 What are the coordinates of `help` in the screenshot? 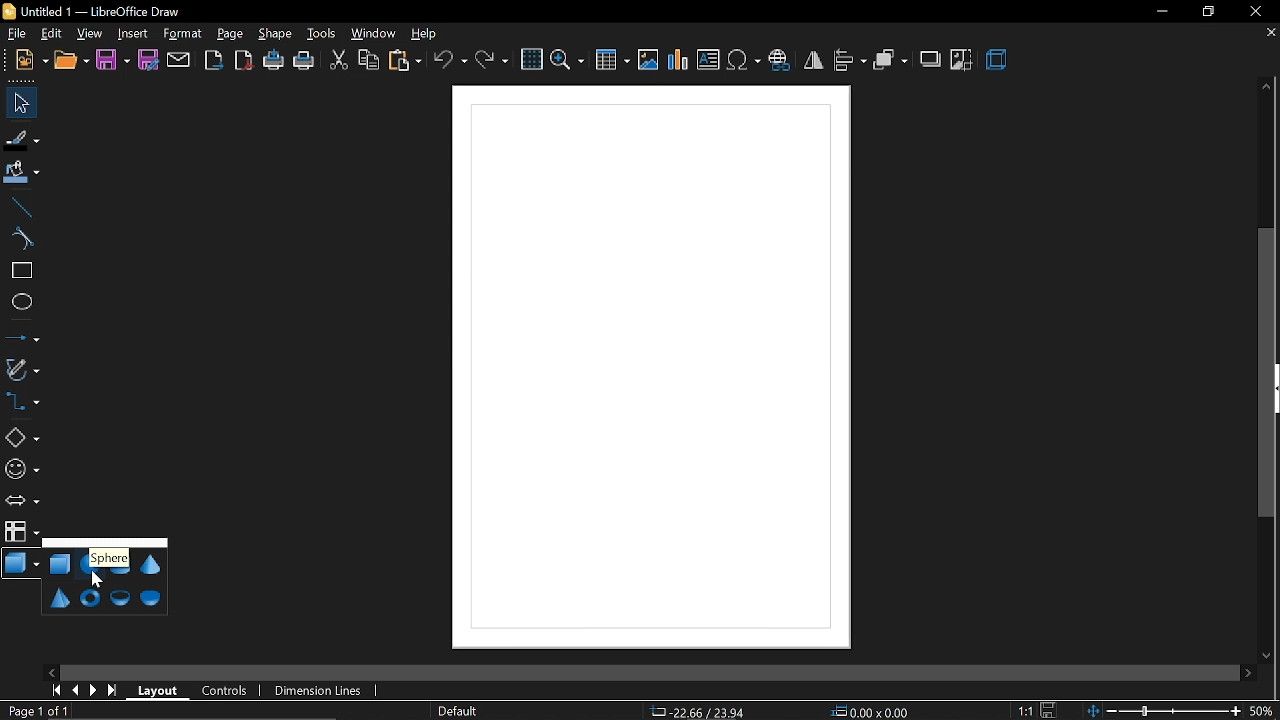 It's located at (429, 33).